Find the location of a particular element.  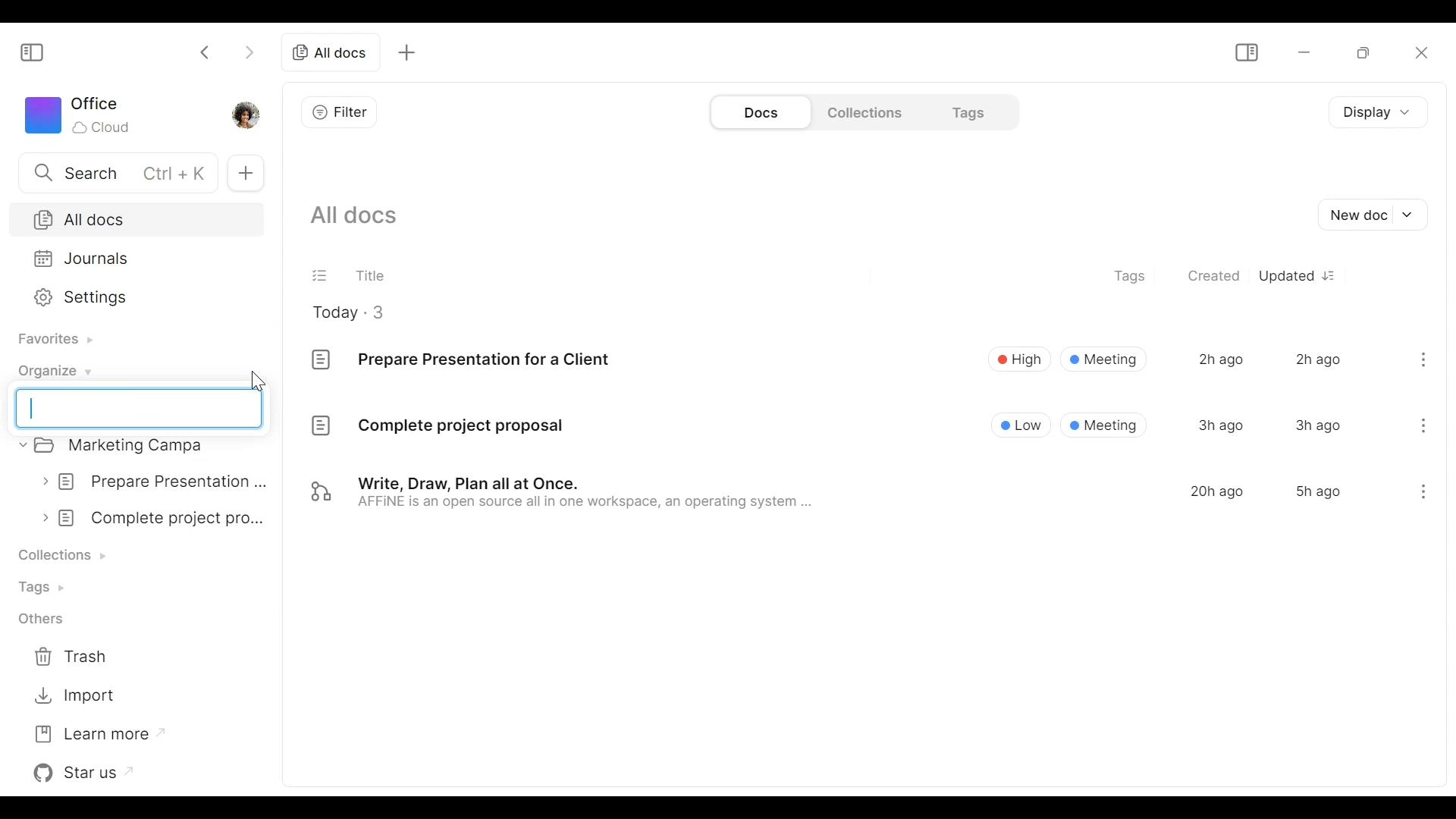

Created is located at coordinates (1215, 277).